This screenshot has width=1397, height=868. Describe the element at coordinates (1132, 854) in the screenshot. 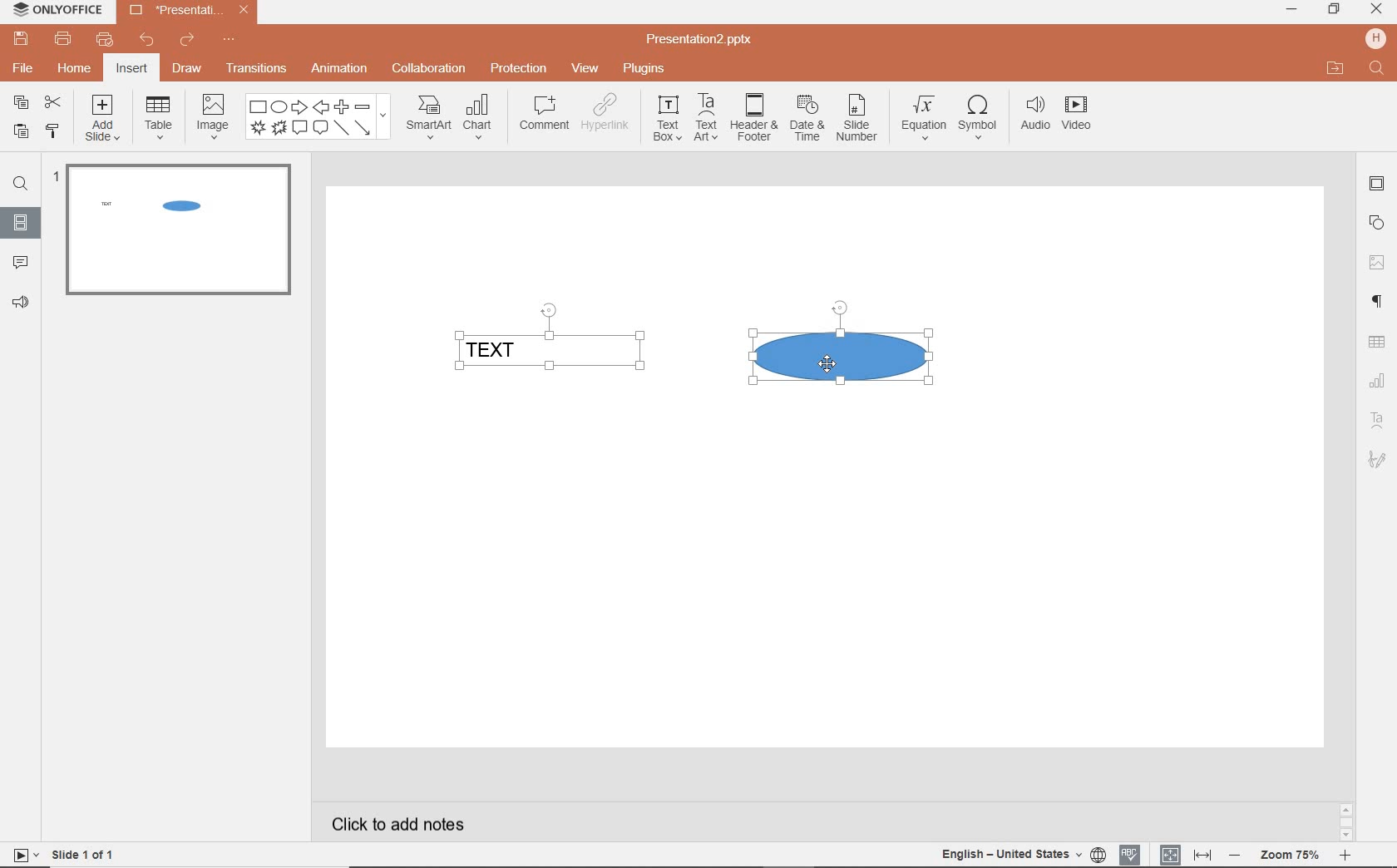

I see `SPELL CHECKING` at that location.